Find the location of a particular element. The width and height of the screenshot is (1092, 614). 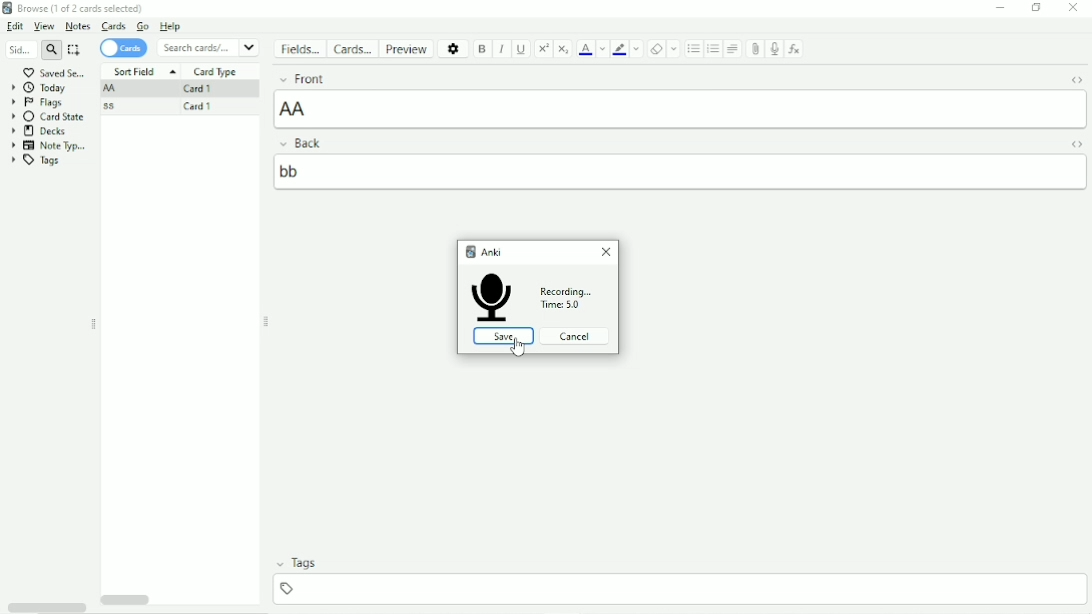

Decks is located at coordinates (40, 131).